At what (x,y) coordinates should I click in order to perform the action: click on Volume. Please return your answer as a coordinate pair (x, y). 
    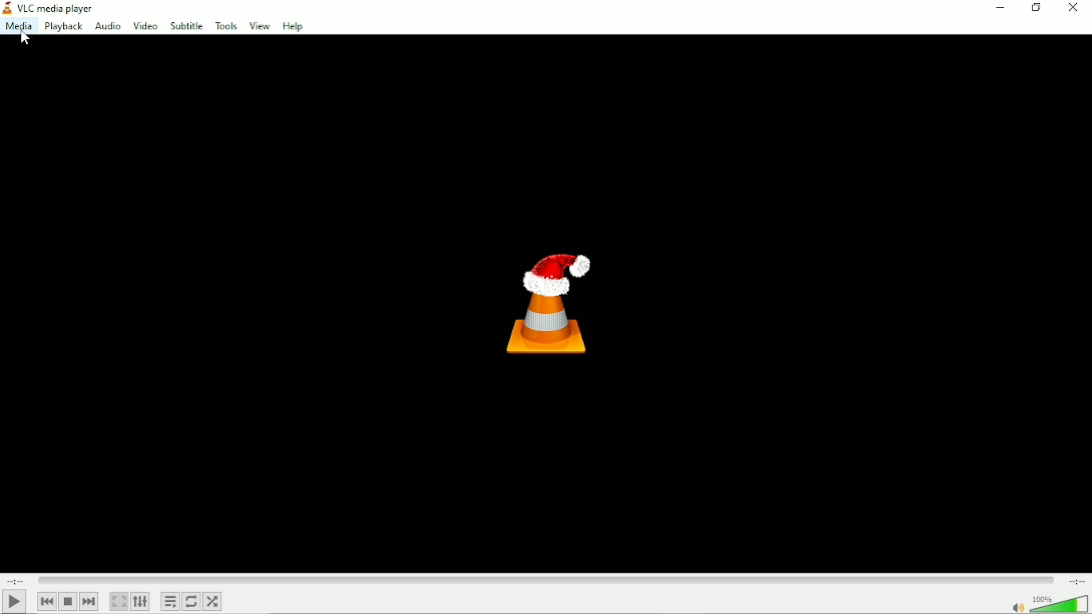
    Looking at the image, I should click on (1046, 603).